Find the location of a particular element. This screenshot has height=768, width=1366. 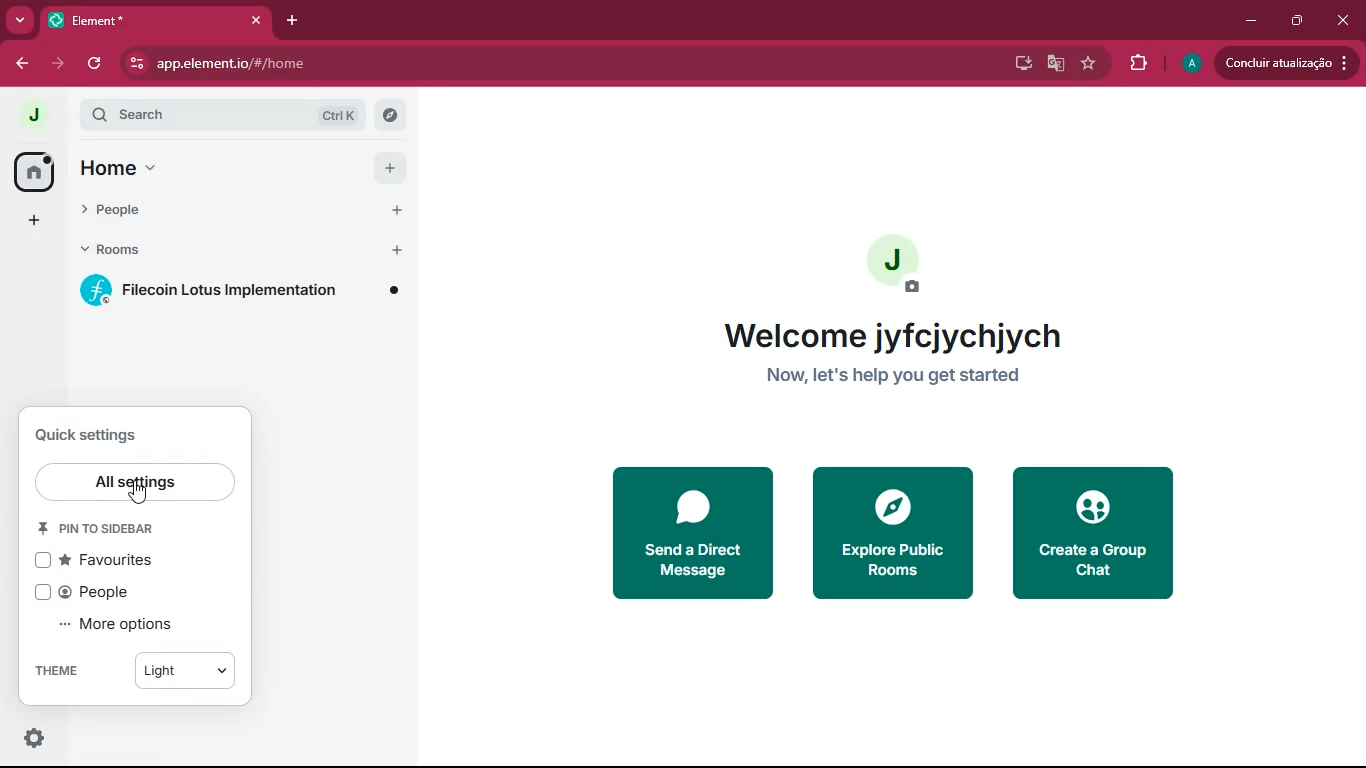

profile picture is located at coordinates (897, 263).